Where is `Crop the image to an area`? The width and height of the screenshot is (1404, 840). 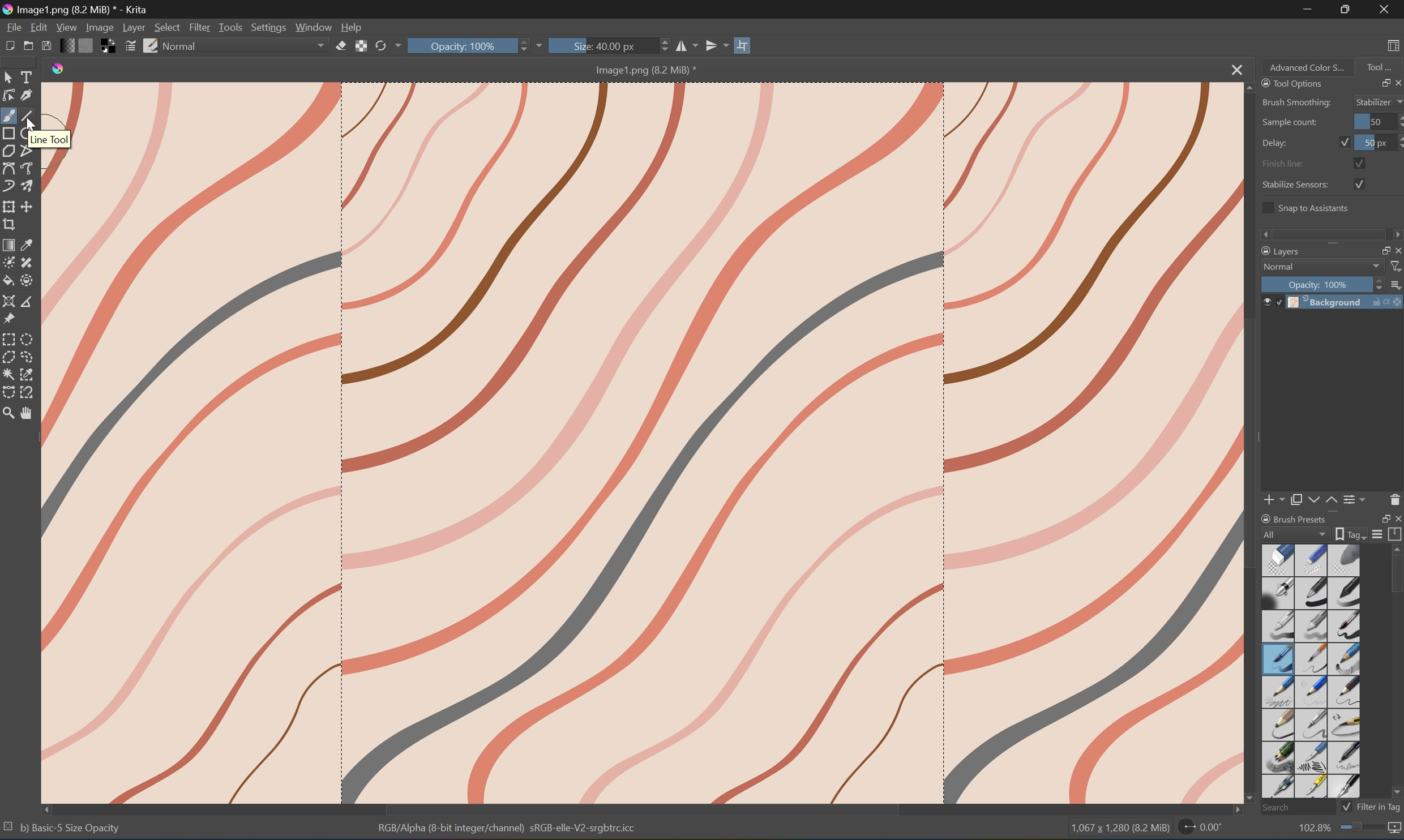
Crop the image to an area is located at coordinates (9, 225).